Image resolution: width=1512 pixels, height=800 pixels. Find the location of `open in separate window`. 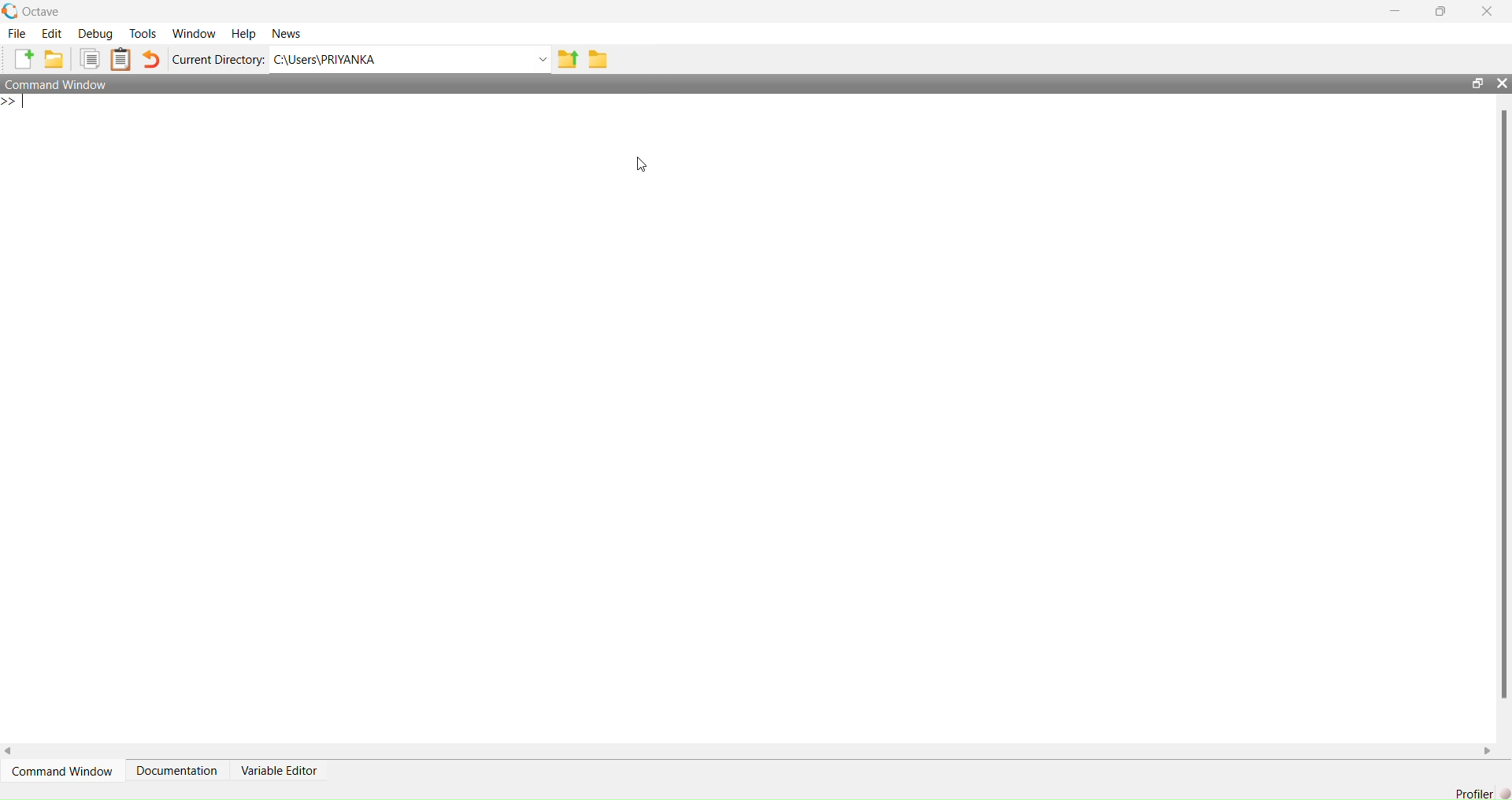

open in separate window is located at coordinates (1477, 83).